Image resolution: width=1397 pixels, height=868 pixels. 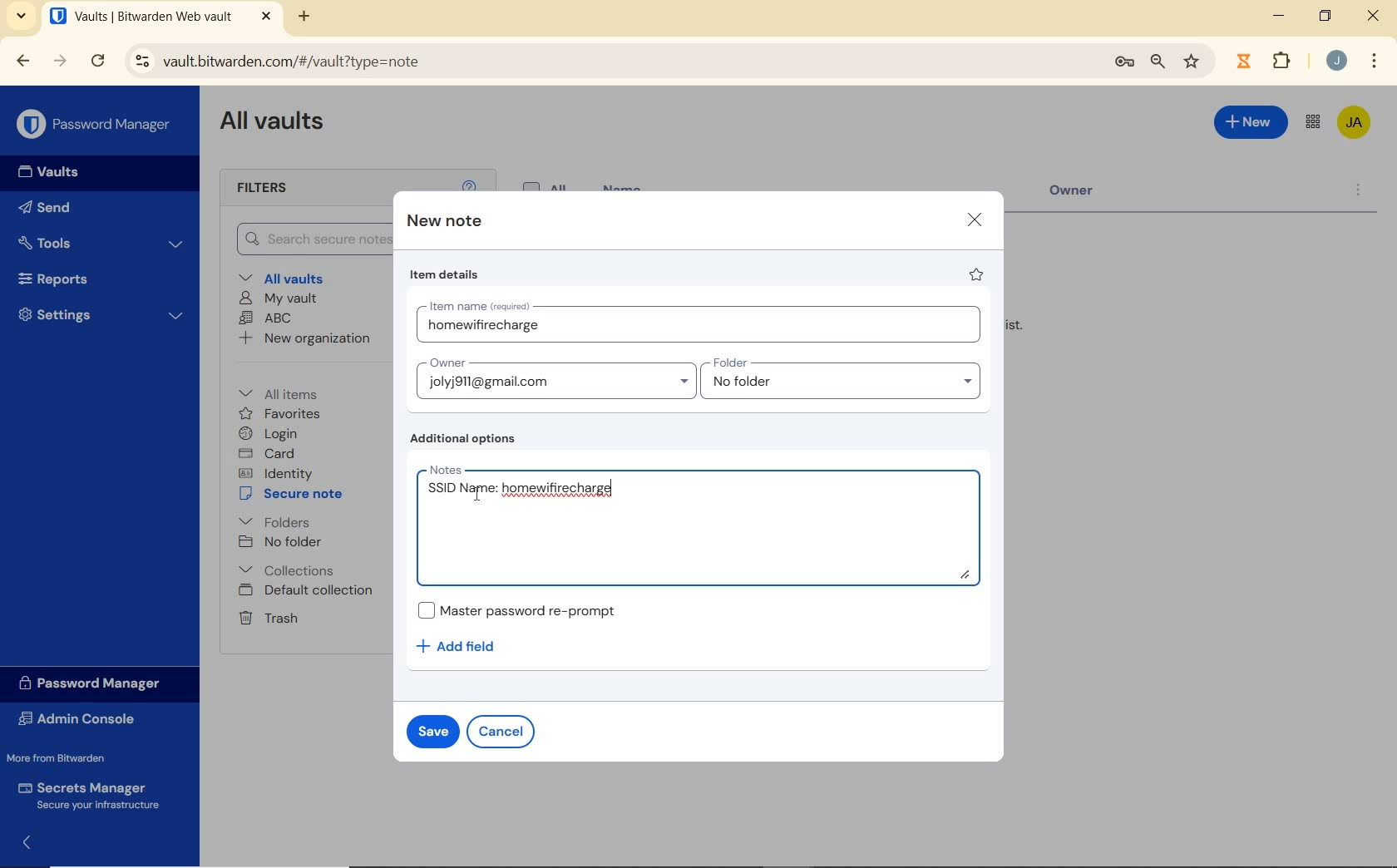 I want to click on zoom, so click(x=1158, y=63).